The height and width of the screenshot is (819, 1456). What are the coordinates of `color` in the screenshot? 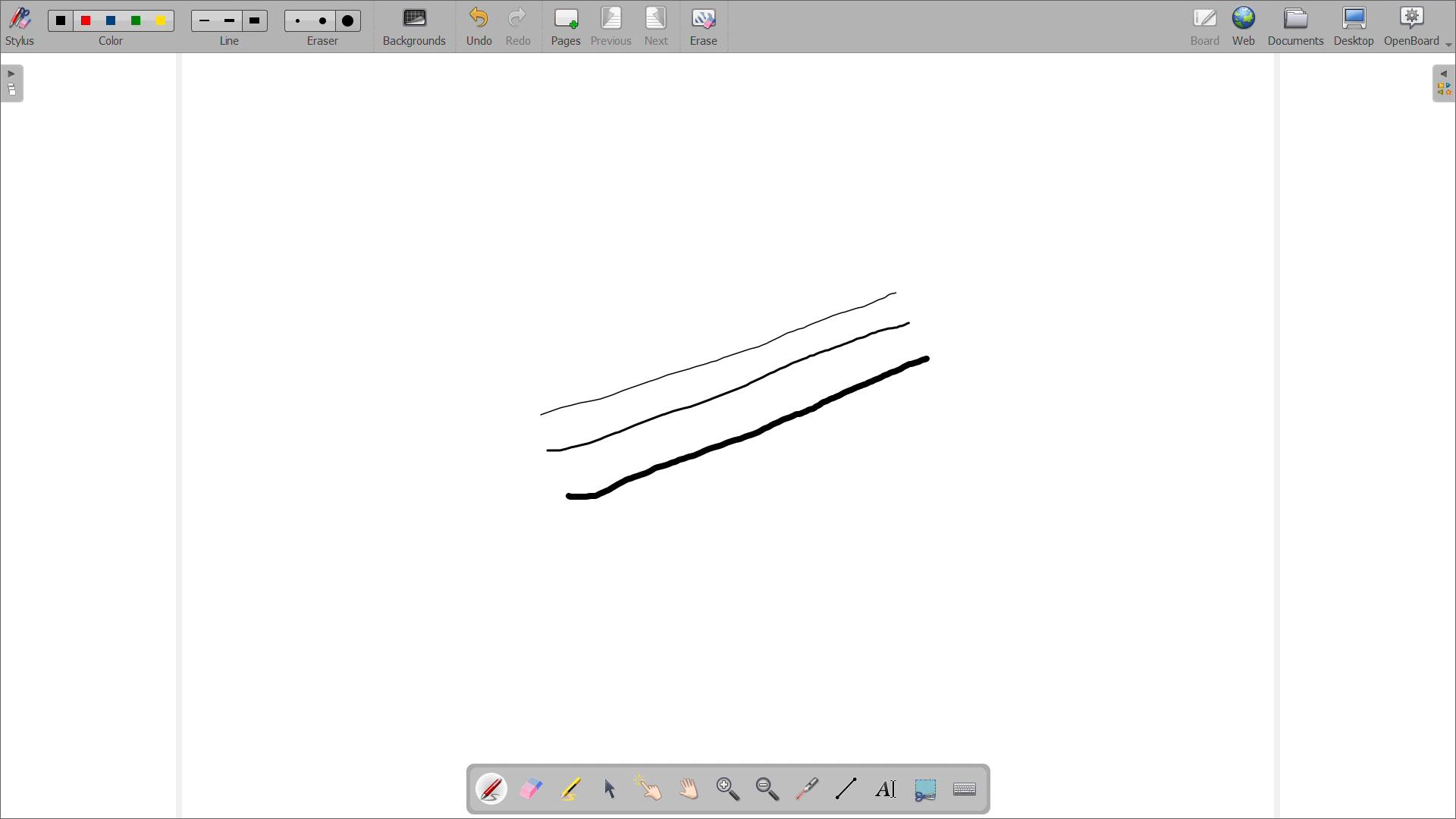 It's located at (161, 21).